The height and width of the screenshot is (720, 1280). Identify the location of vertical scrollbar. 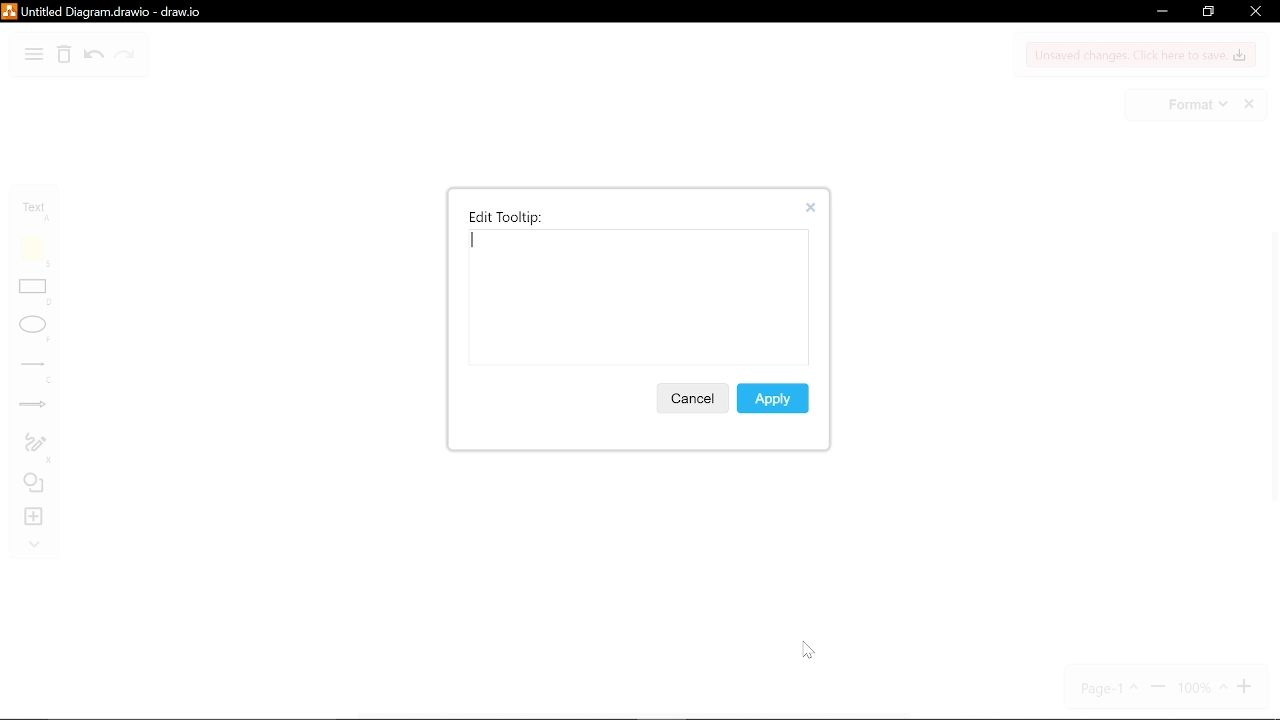
(1272, 371).